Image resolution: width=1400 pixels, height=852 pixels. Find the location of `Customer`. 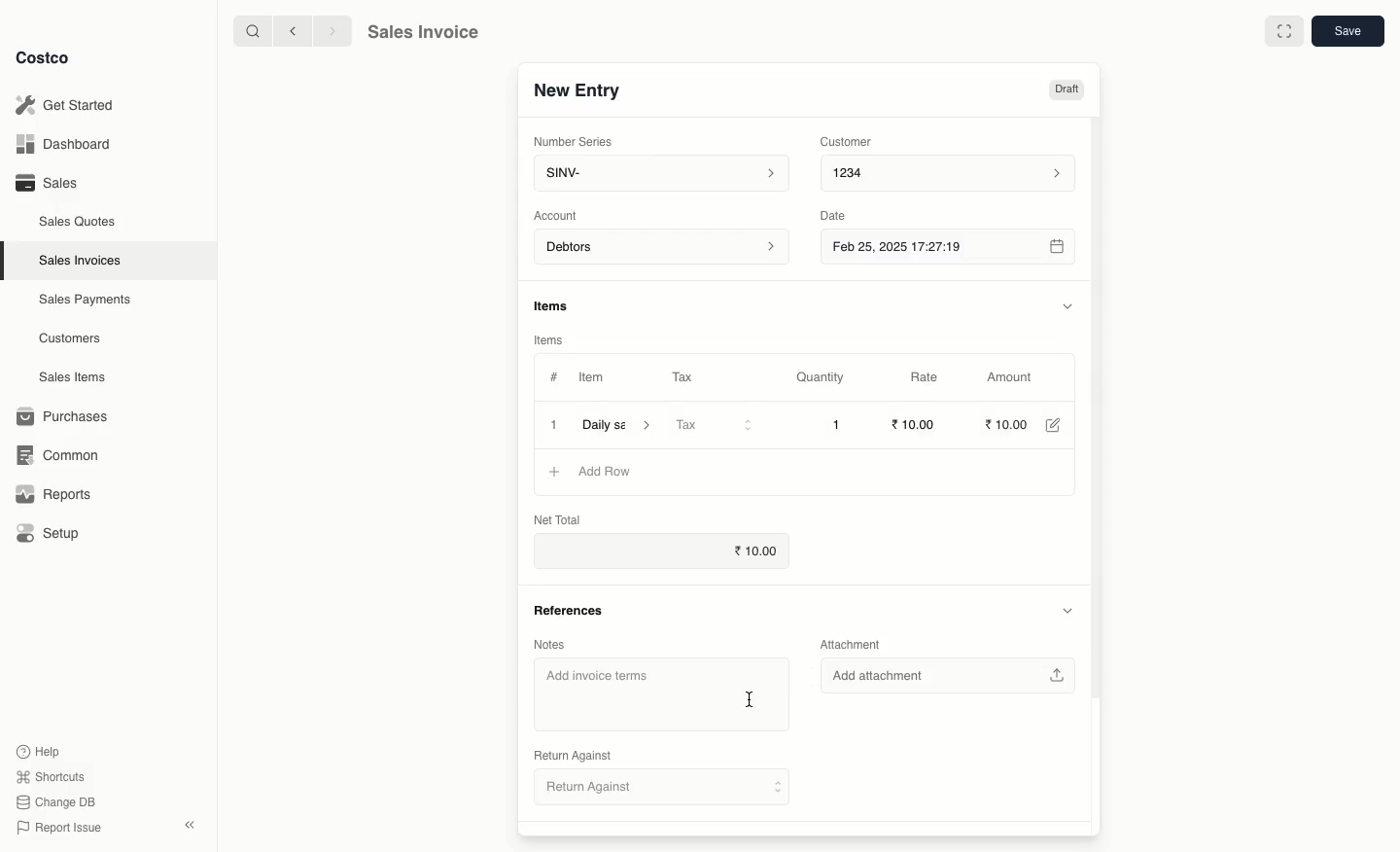

Customer is located at coordinates (852, 143).